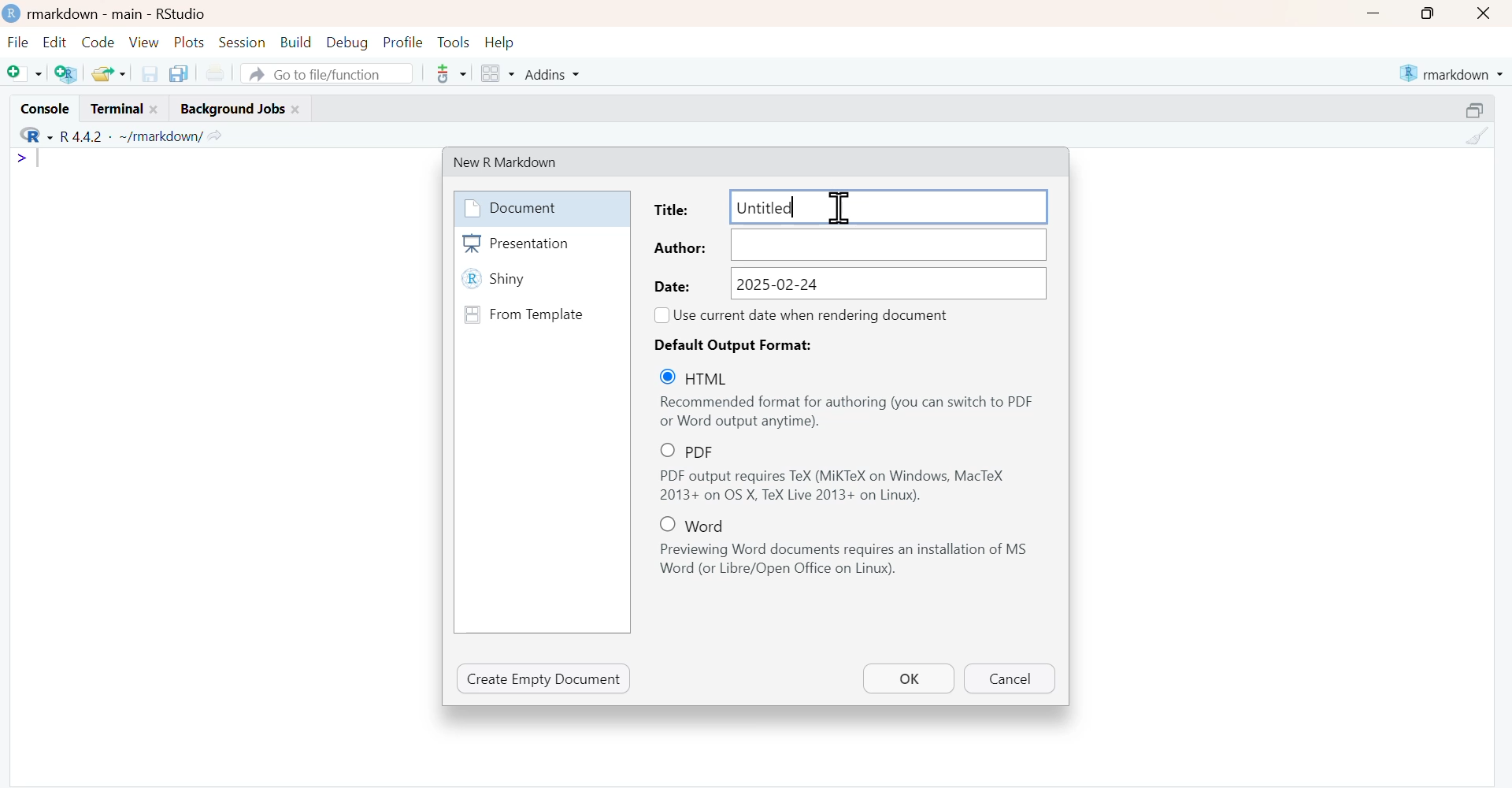 This screenshot has width=1512, height=788. Describe the element at coordinates (1425, 13) in the screenshot. I see `maximize` at that location.